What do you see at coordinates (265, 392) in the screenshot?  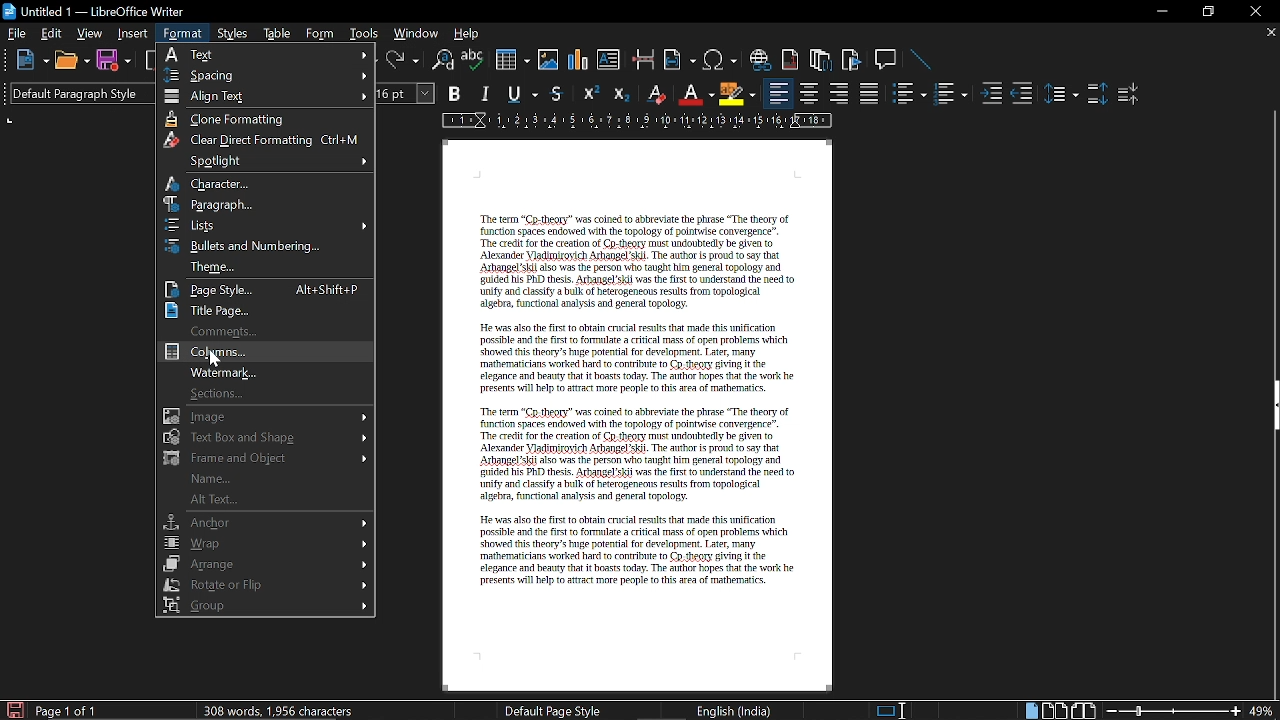 I see `Sections` at bounding box center [265, 392].